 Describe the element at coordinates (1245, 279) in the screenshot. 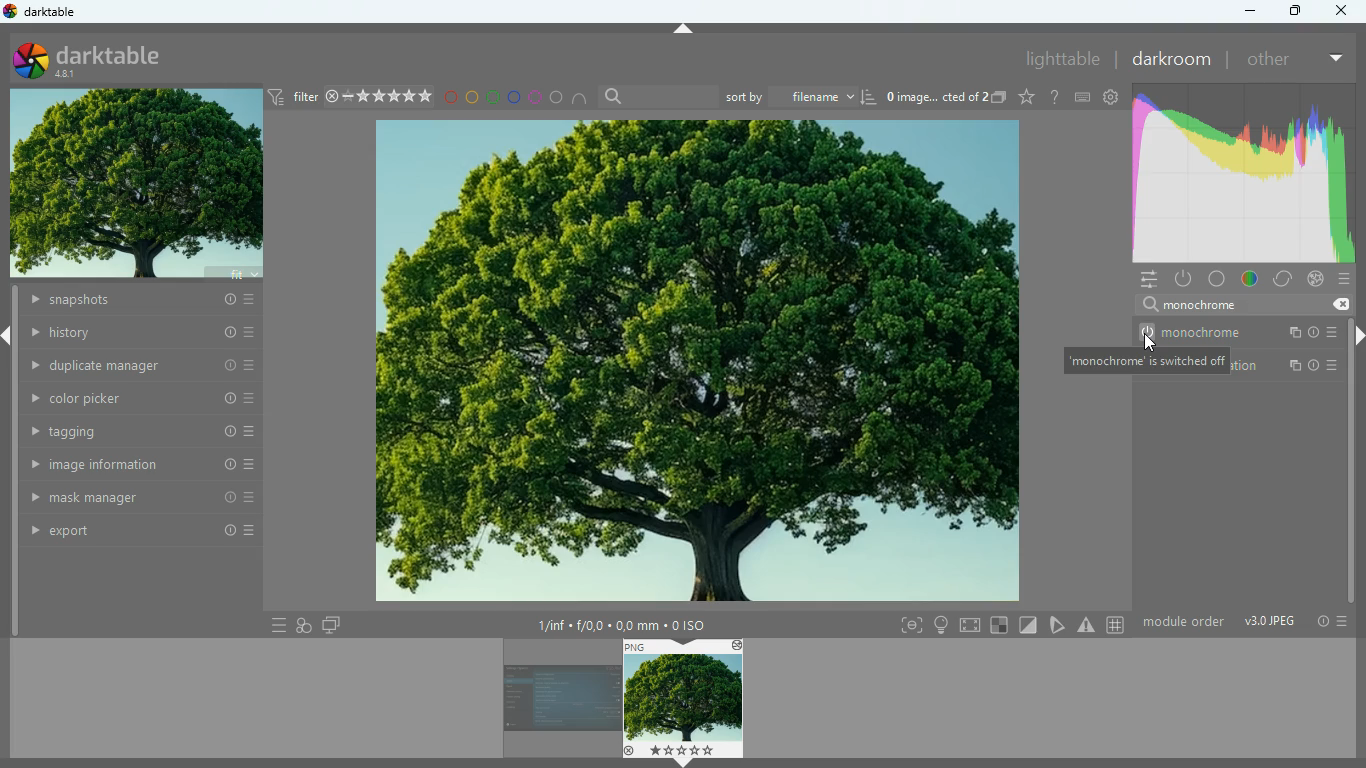

I see `color` at that location.